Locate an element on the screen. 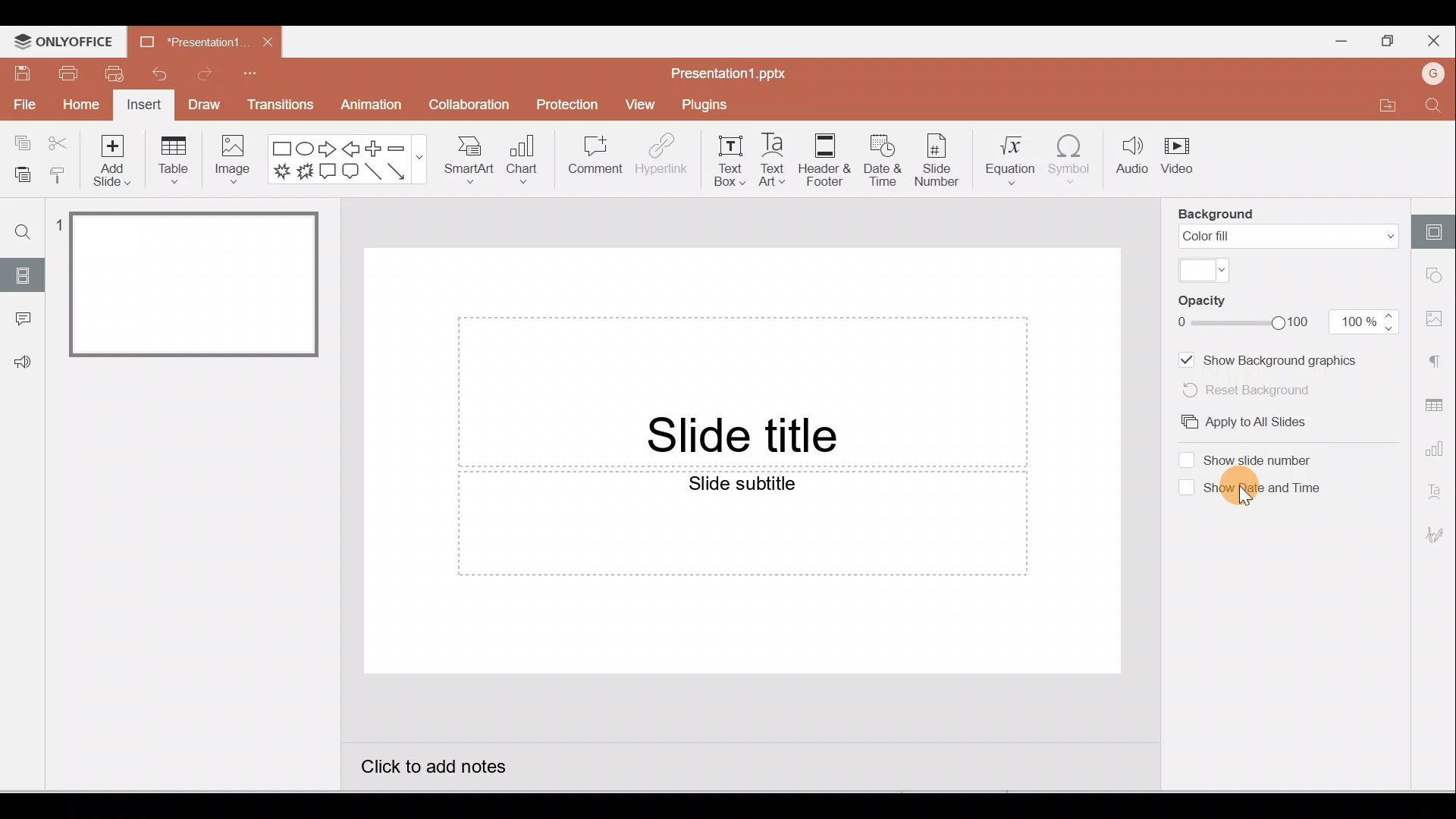  vertical scrollbar is located at coordinates (1151, 488).